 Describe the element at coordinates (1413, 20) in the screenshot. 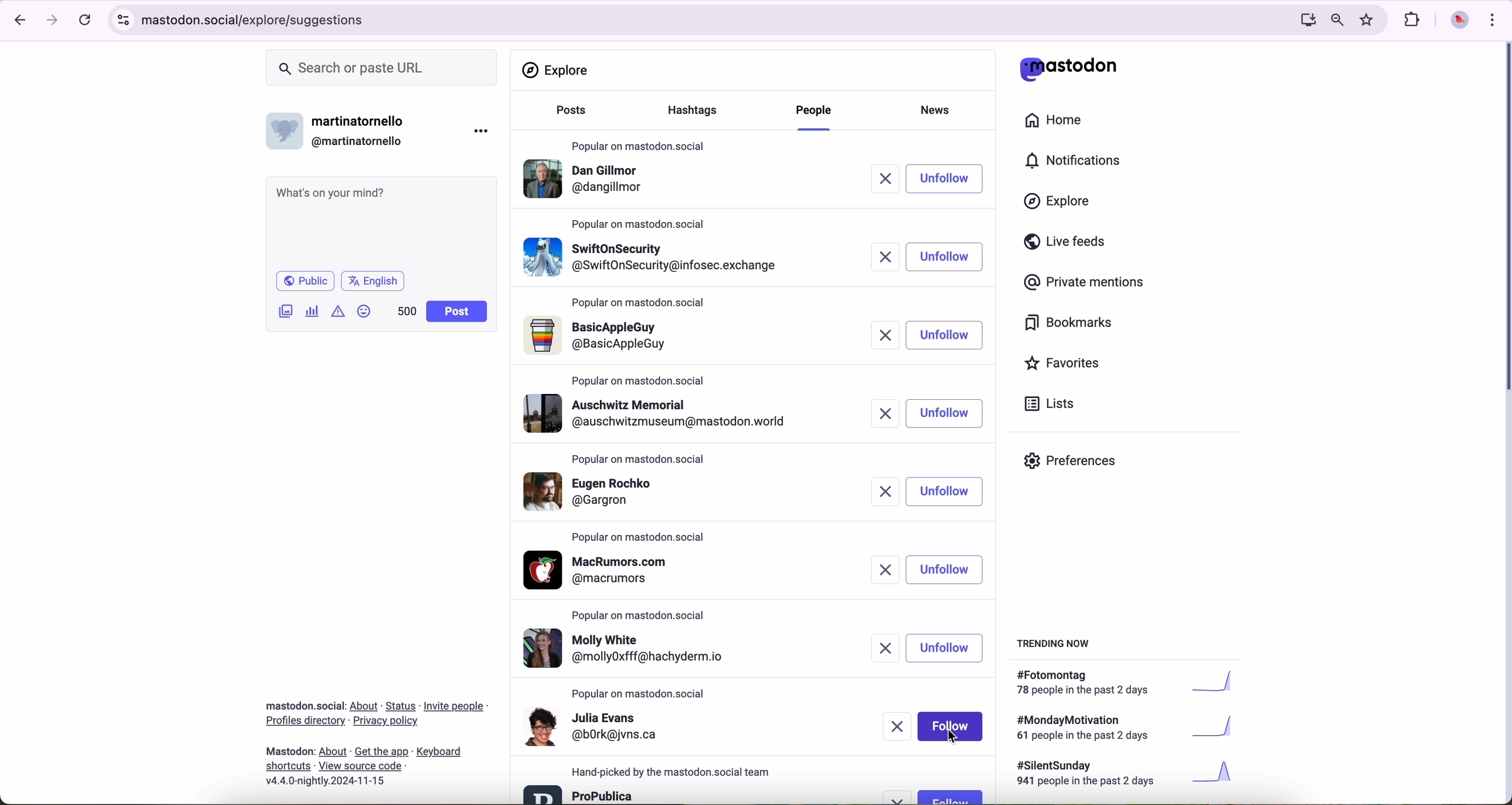

I see `extensions` at that location.